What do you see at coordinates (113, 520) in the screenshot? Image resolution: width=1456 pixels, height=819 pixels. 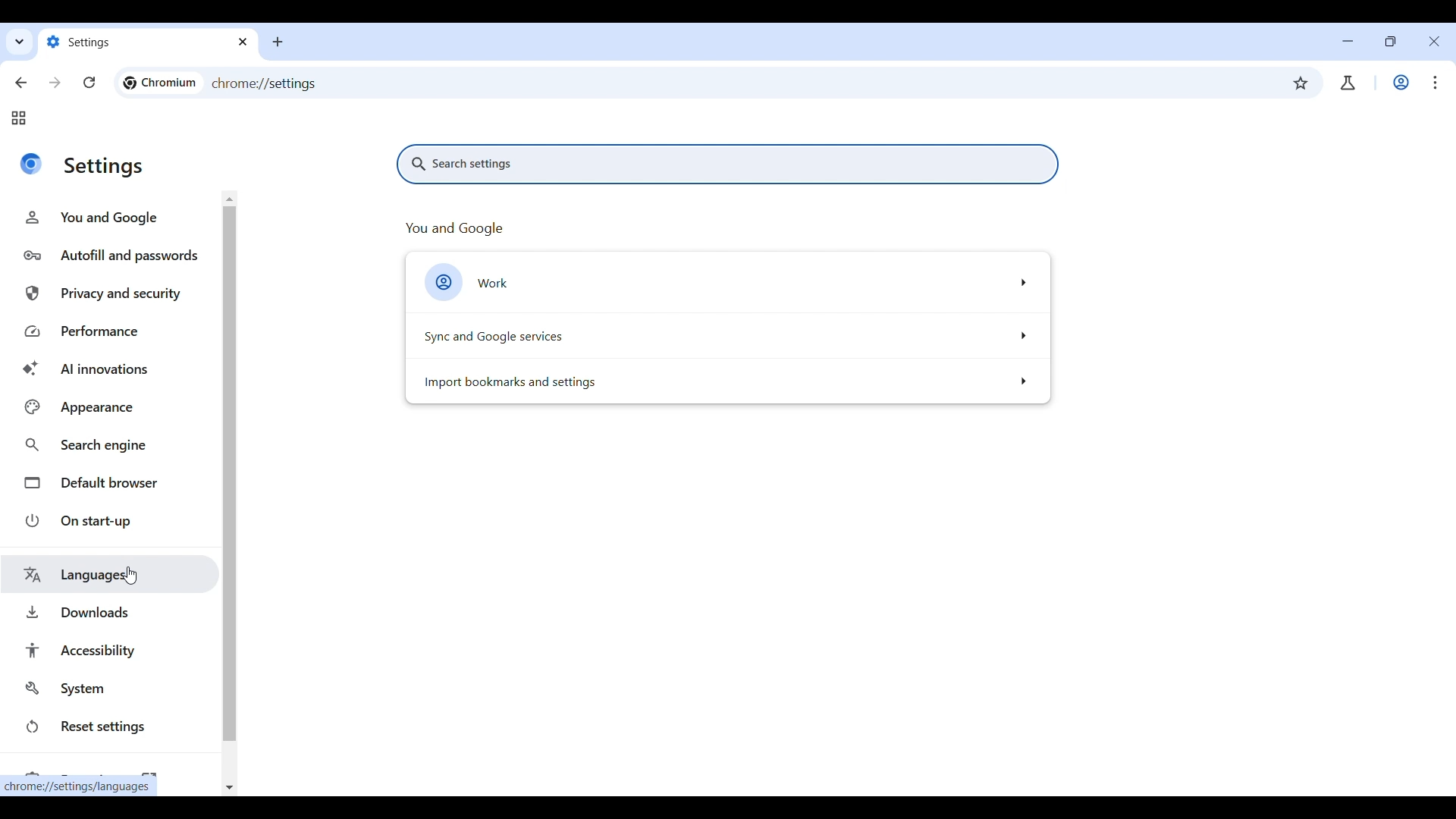 I see `On start up` at bounding box center [113, 520].